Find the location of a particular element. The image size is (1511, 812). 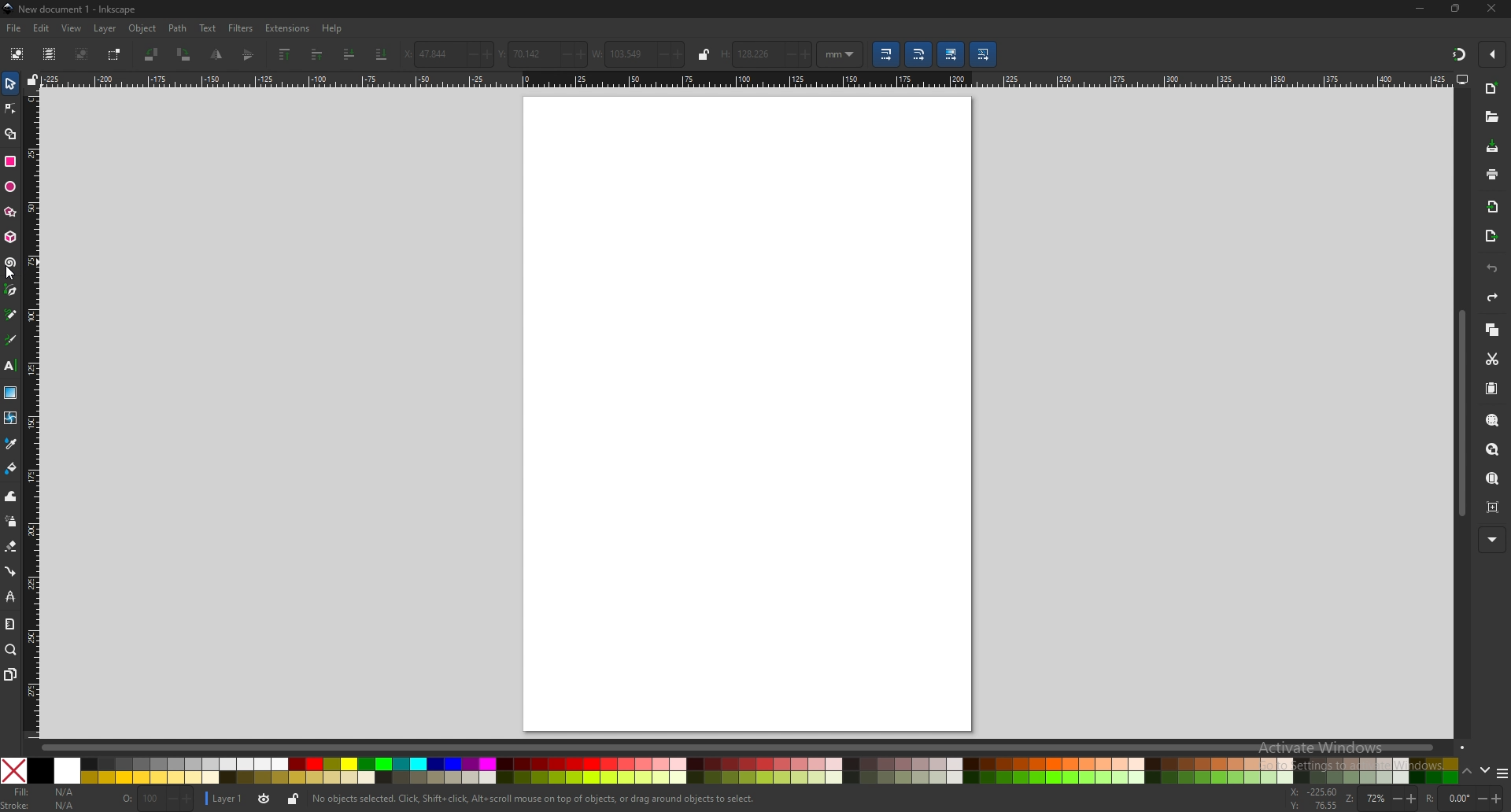

Z: 72% is located at coordinates (1381, 799).